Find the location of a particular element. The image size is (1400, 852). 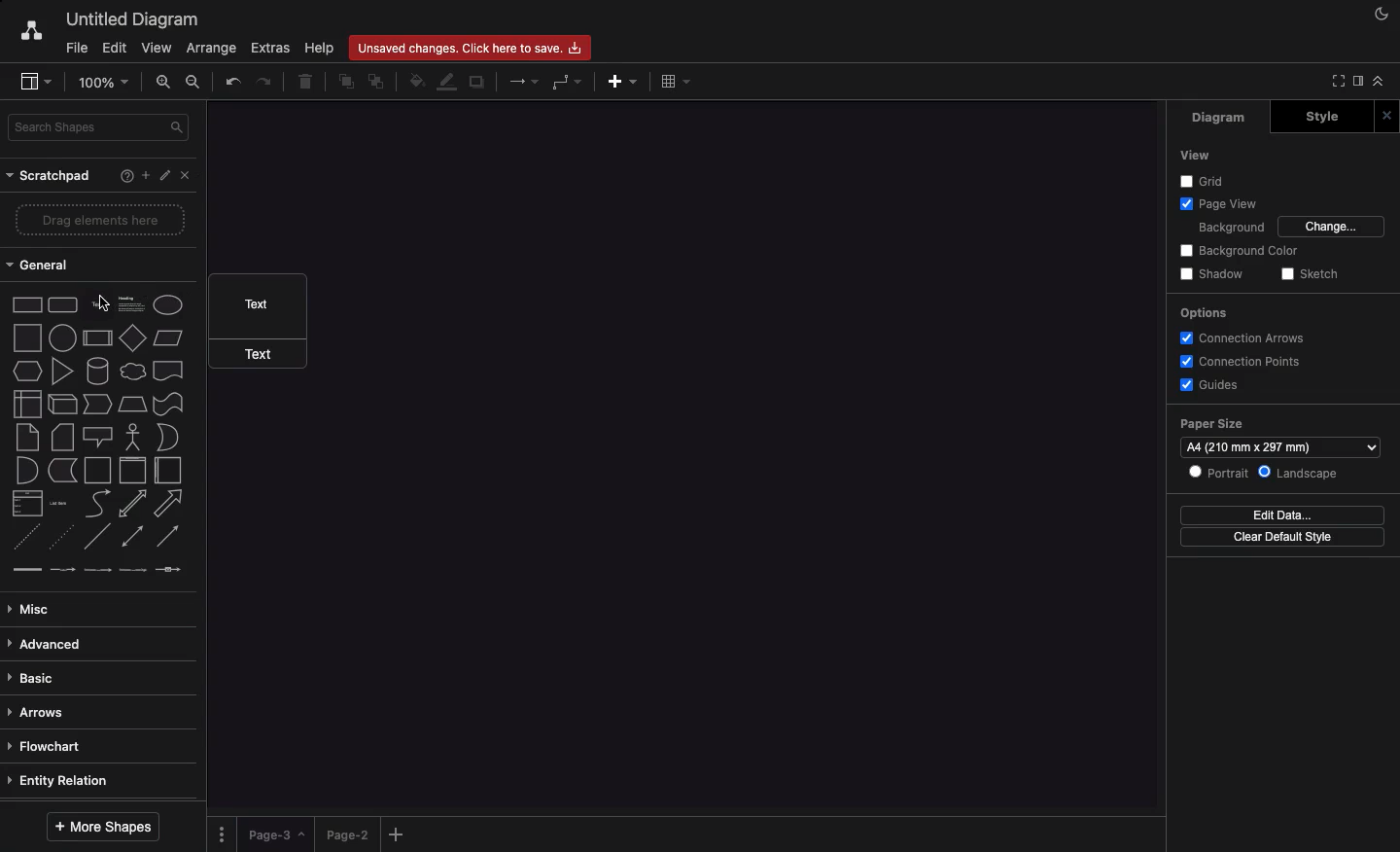

parallelogram is located at coordinates (168, 337).